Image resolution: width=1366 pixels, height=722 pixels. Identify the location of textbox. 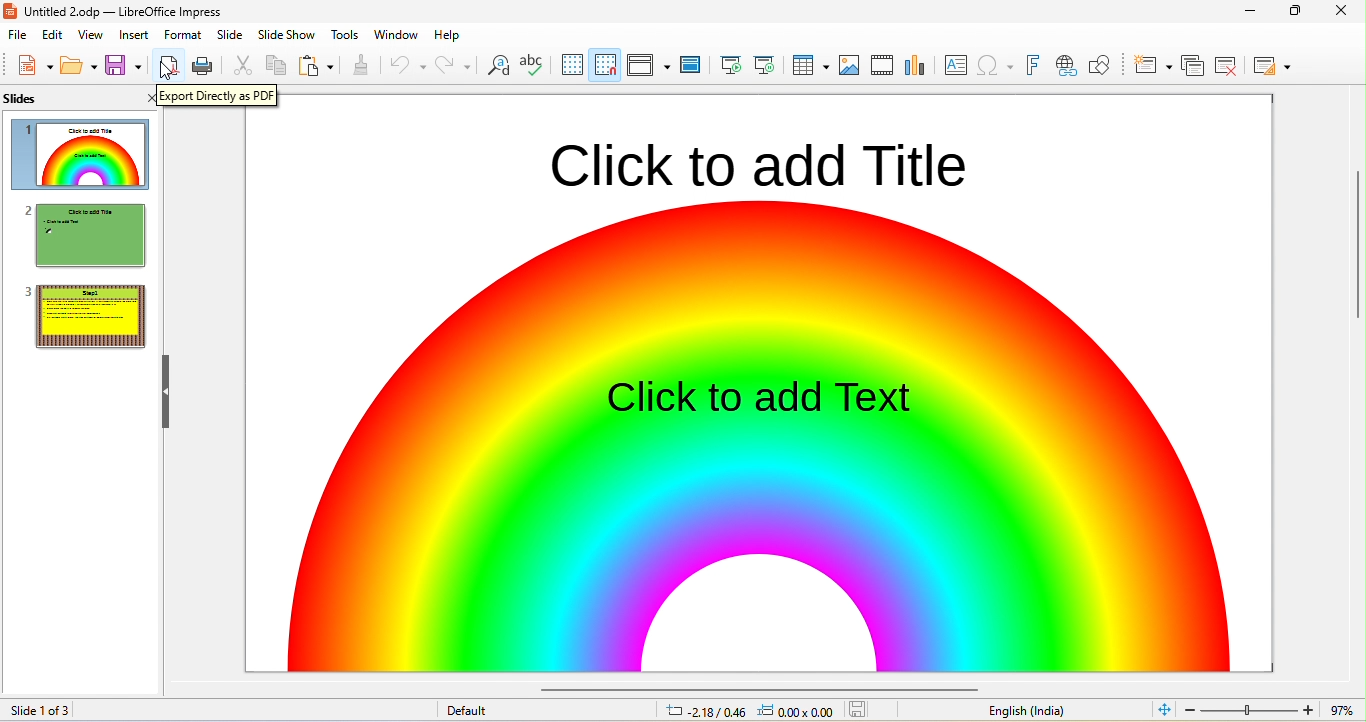
(954, 66).